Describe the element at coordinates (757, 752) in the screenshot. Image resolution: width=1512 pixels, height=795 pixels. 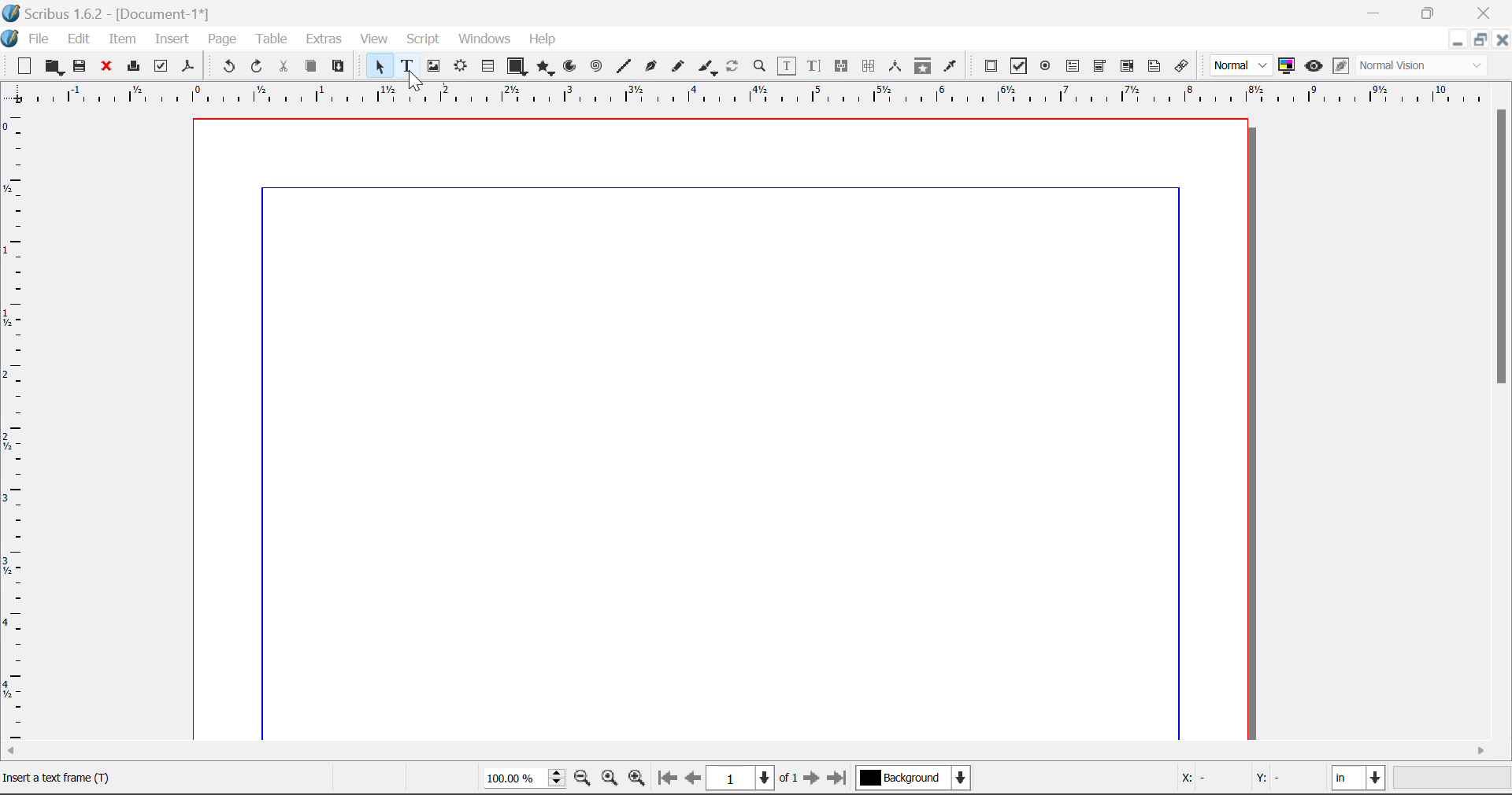
I see `Scroll Bar` at that location.